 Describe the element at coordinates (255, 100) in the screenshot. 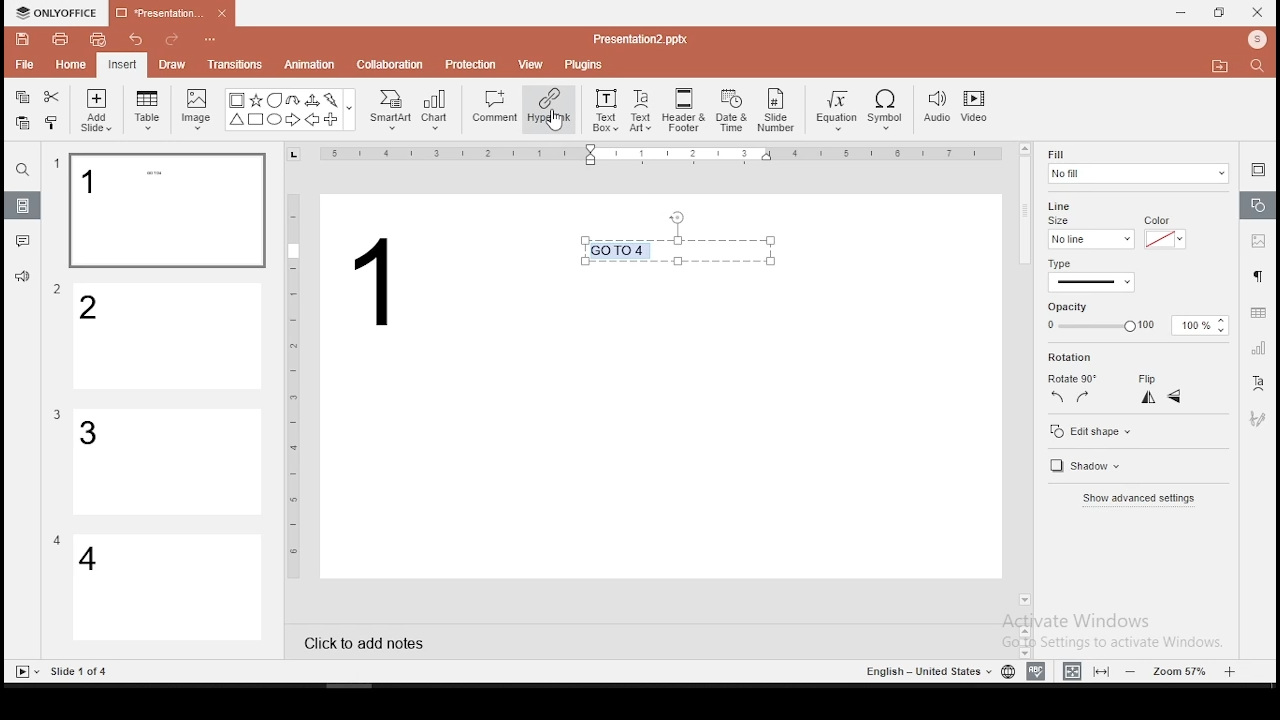

I see `Star` at that location.